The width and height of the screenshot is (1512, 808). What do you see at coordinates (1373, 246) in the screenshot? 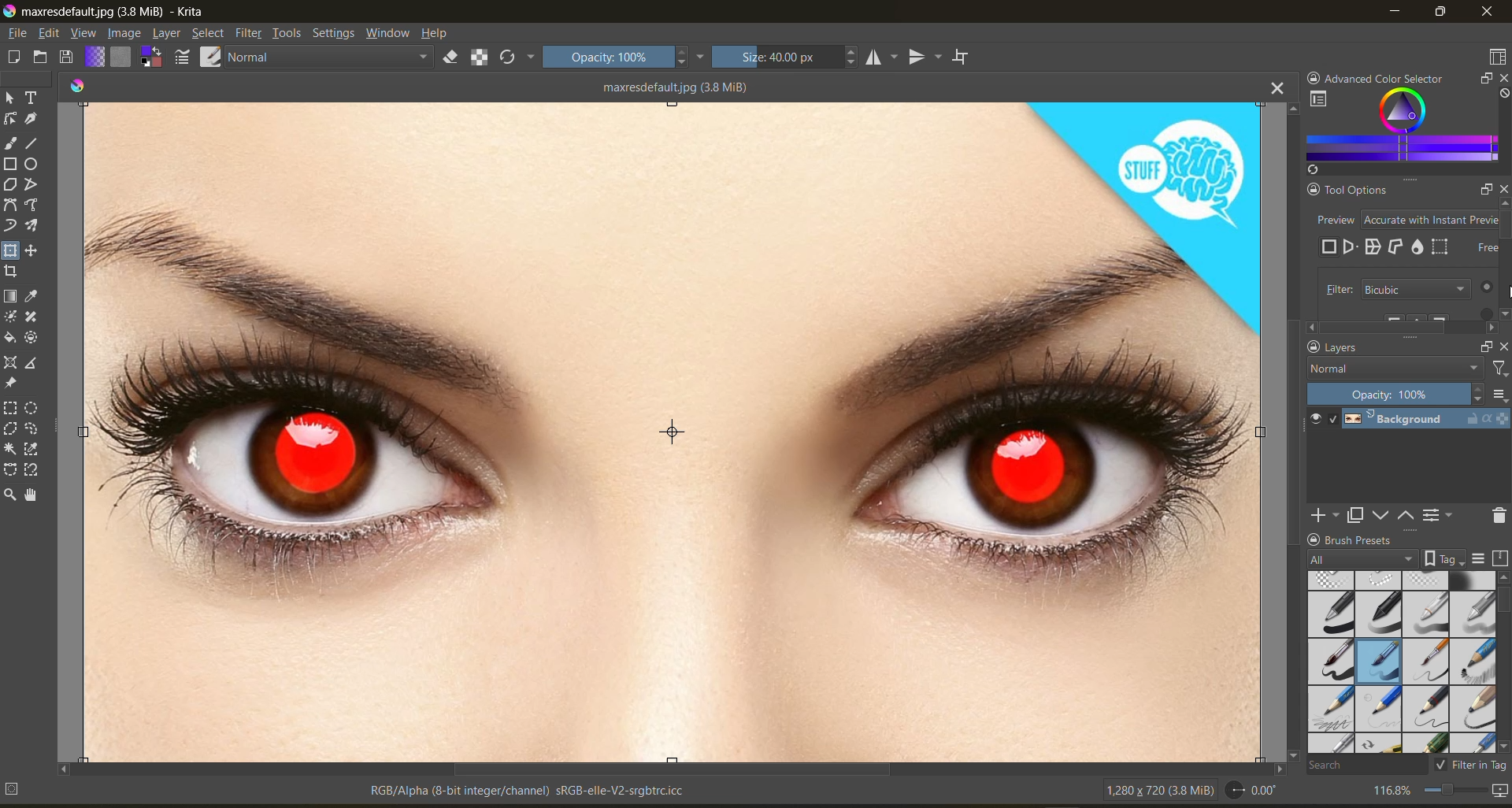
I see `wrap` at bounding box center [1373, 246].